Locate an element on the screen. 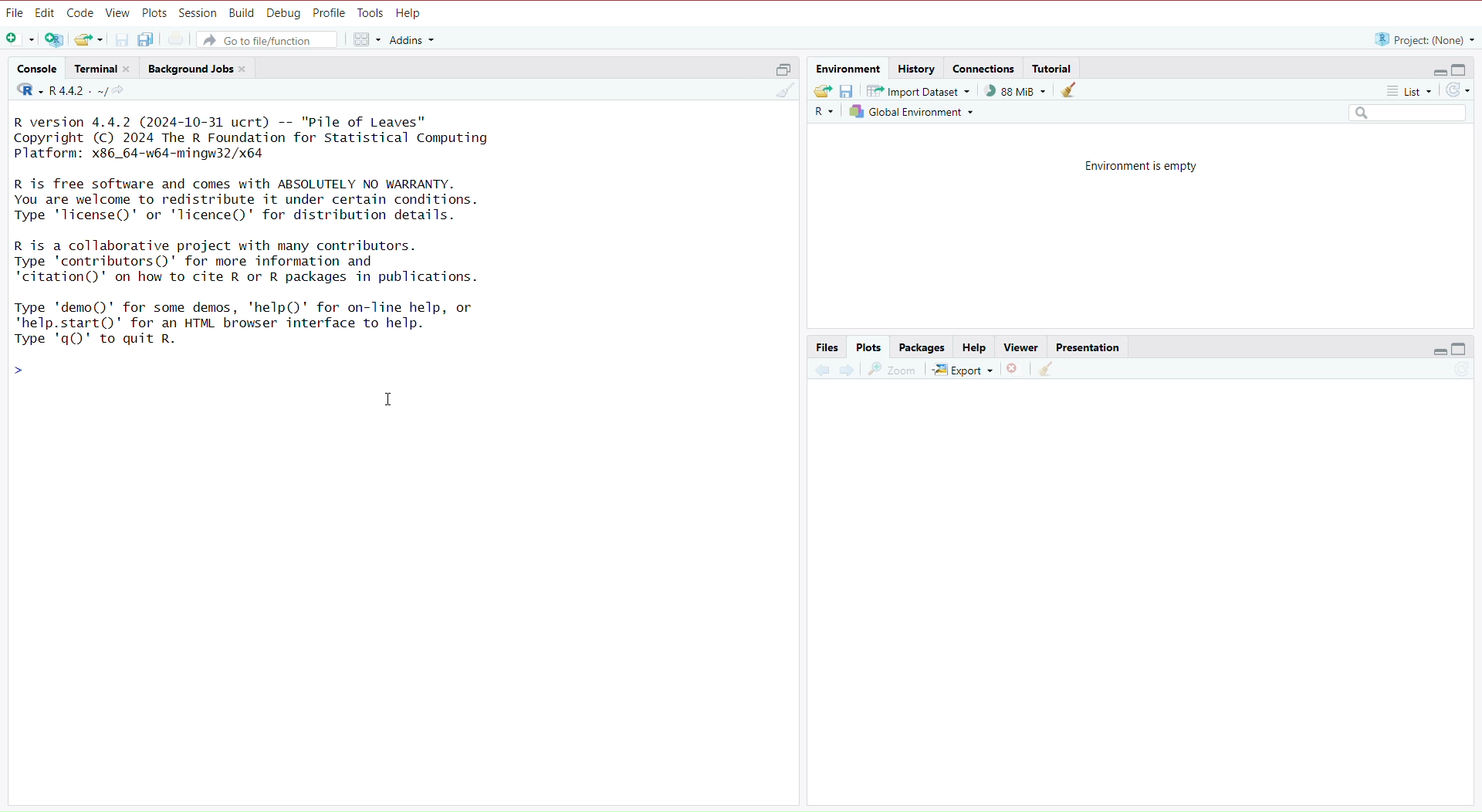  R version 4.4.2 (2024-10-31 ucrt) -- "Pile of Leaves"
Copyright (C) 2024 The R Foundation for Statistical Computing
Platform: x86_64-w64-mingw32/x64

R is free software and comes with ABSOLUTELY NO WARRANTY.
You are welcome to redistribute it under certain conditions.
Type 'license()' or 'licence()' for distribution details.

R is a collaborative project with many contributors.

Type 'contributors()' for more information and

"citation()' on how to cite R or R packages in publications.
Type 'demo()' for some demos, ‘help()' for on-line help, or
'help.start()' for an HTML browser interface to help.

Type 'qQ)' to quit R.

> is located at coordinates (279, 249).